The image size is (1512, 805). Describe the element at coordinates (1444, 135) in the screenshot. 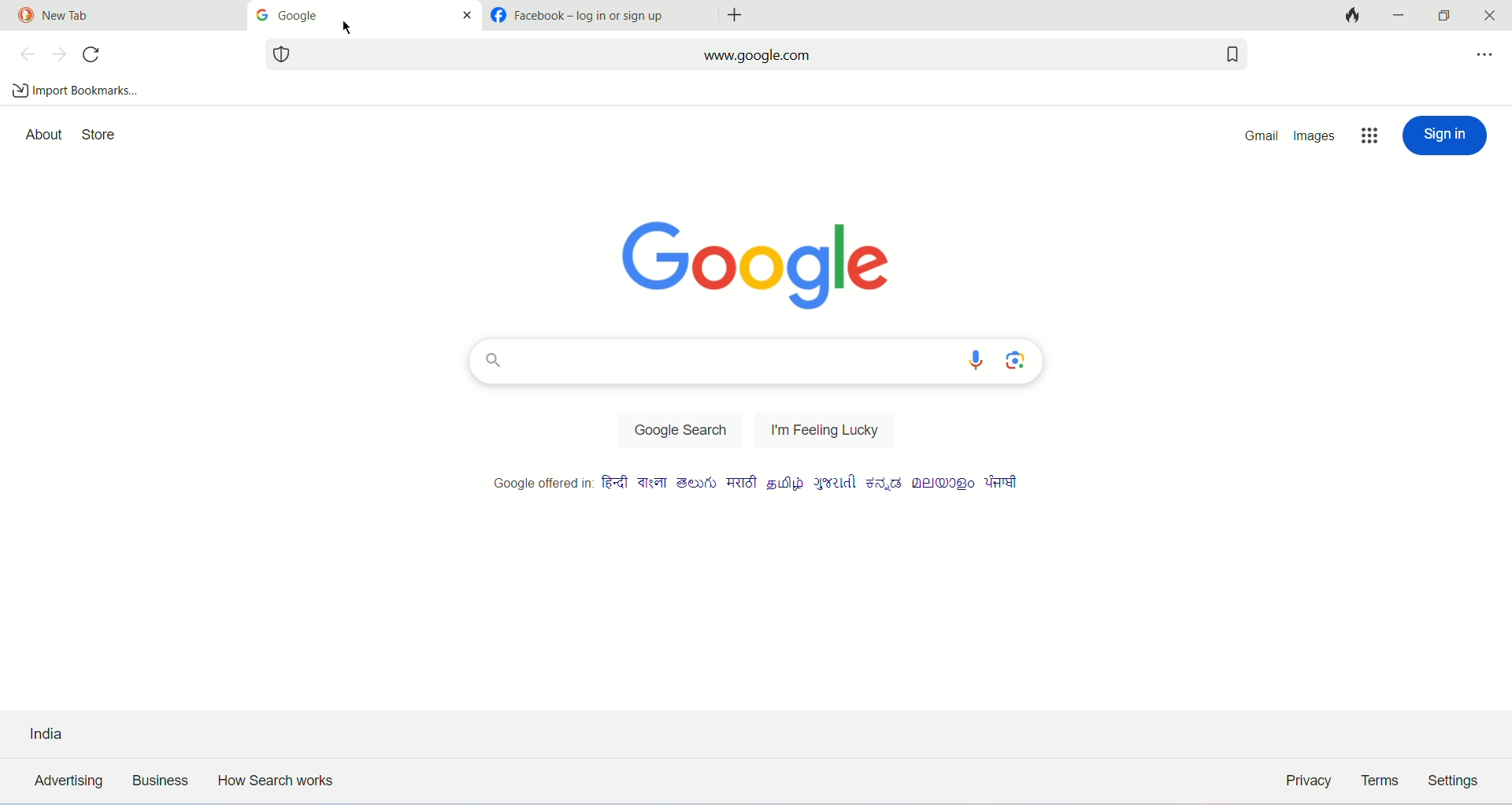

I see `sign in` at that location.